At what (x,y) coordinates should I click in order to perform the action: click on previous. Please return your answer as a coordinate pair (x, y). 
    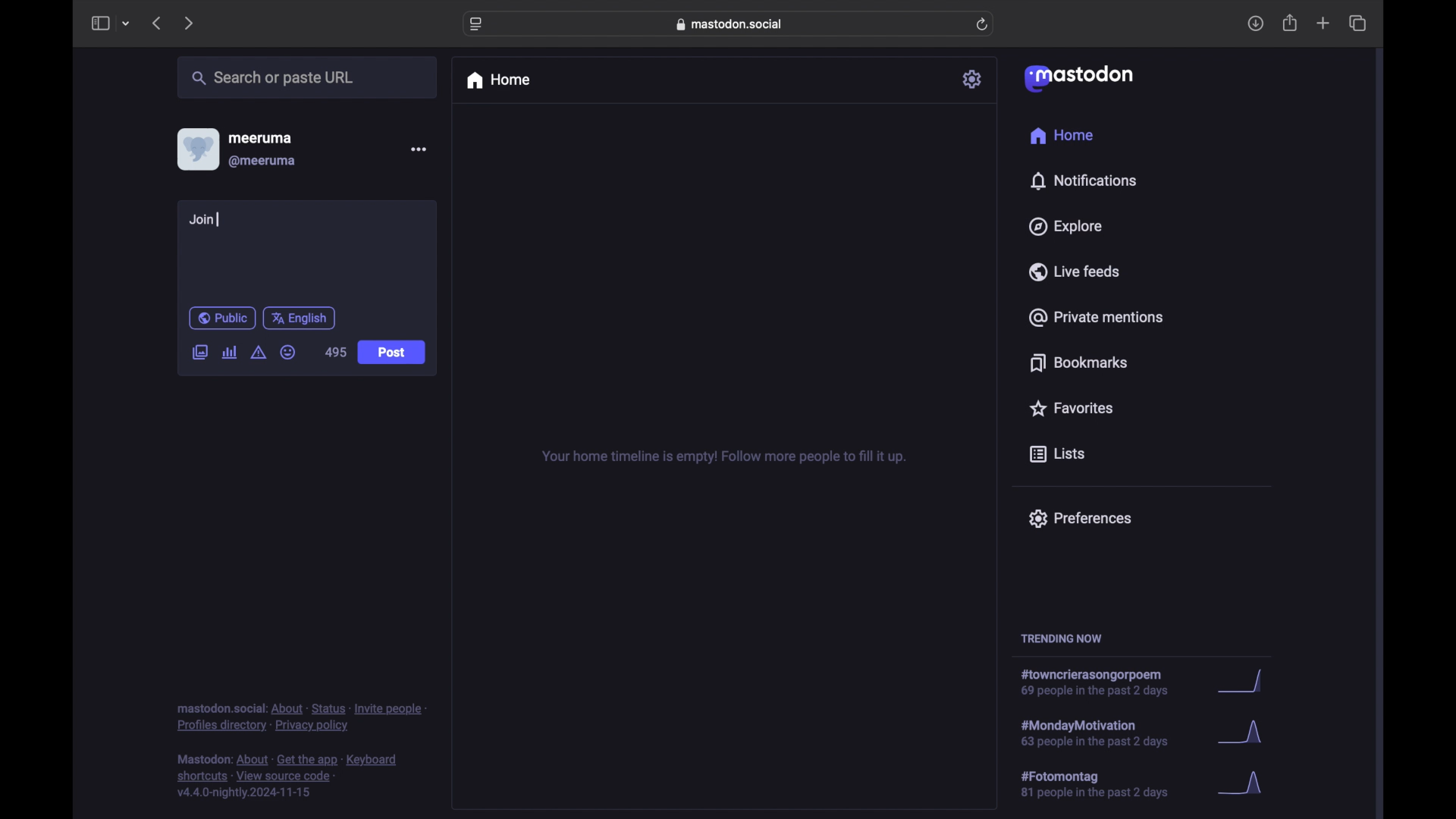
    Looking at the image, I should click on (156, 23).